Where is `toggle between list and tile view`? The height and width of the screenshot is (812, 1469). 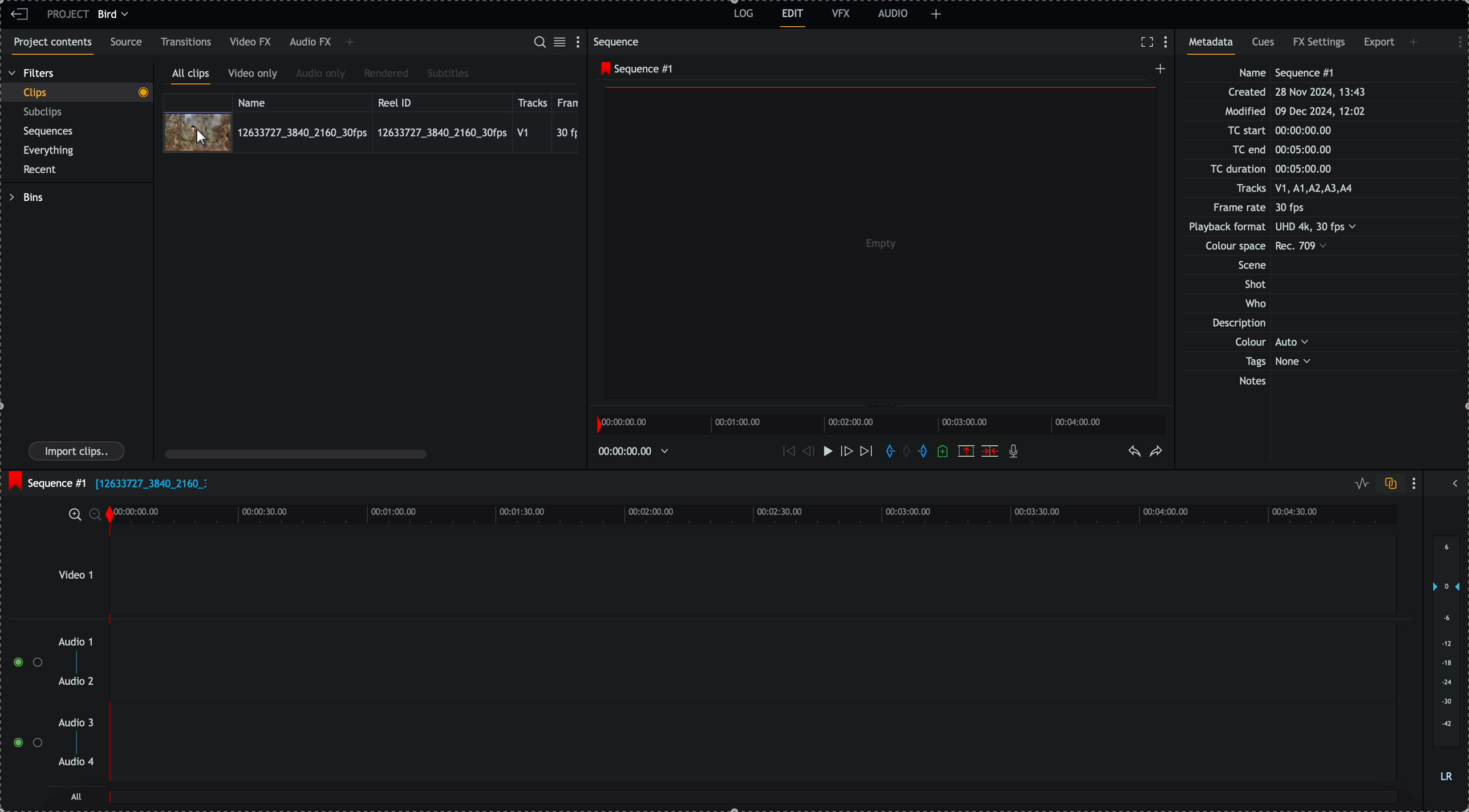 toggle between list and tile view is located at coordinates (562, 43).